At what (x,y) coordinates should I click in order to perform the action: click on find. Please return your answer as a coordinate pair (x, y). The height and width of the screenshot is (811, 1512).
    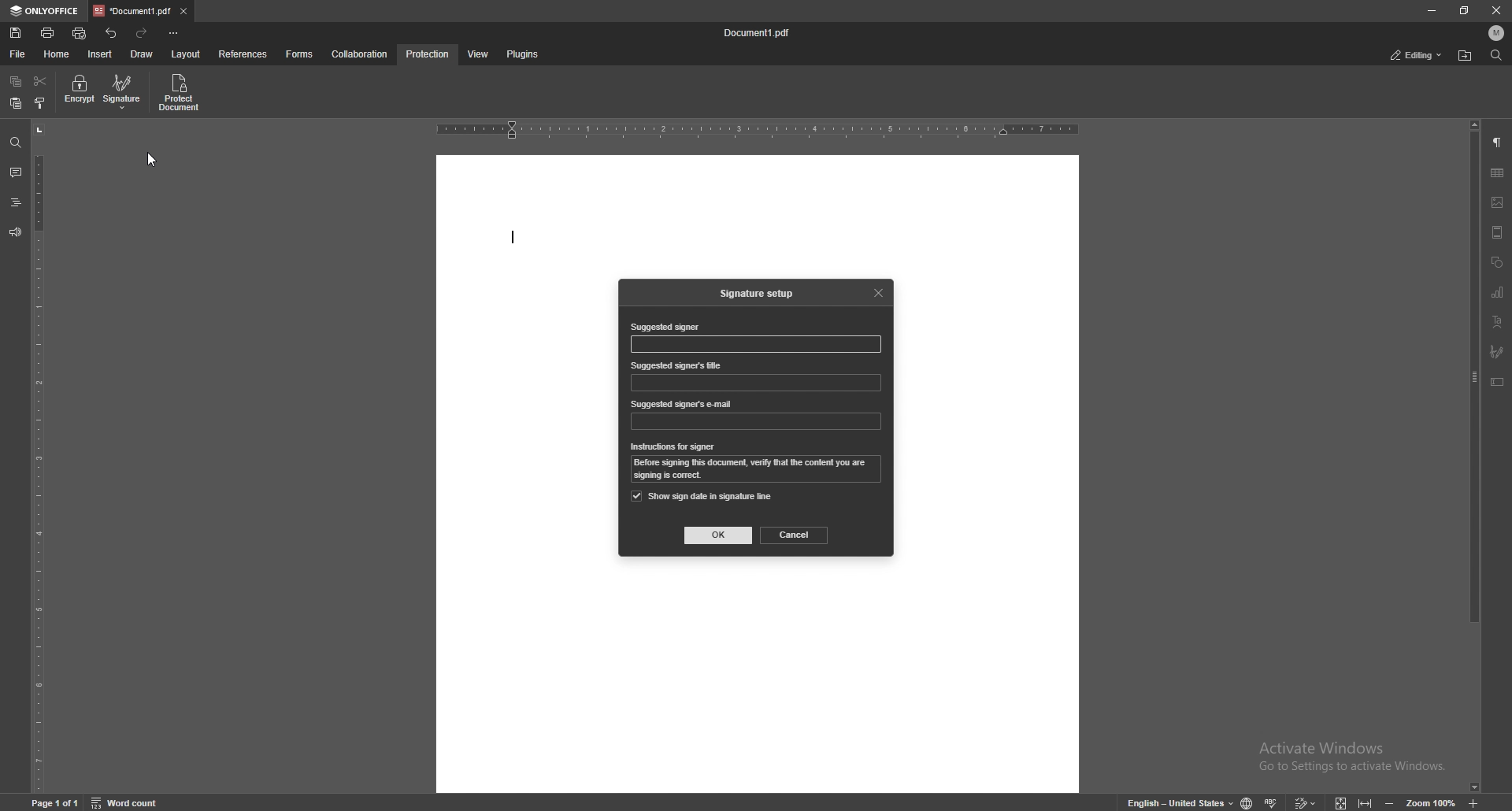
    Looking at the image, I should click on (1496, 56).